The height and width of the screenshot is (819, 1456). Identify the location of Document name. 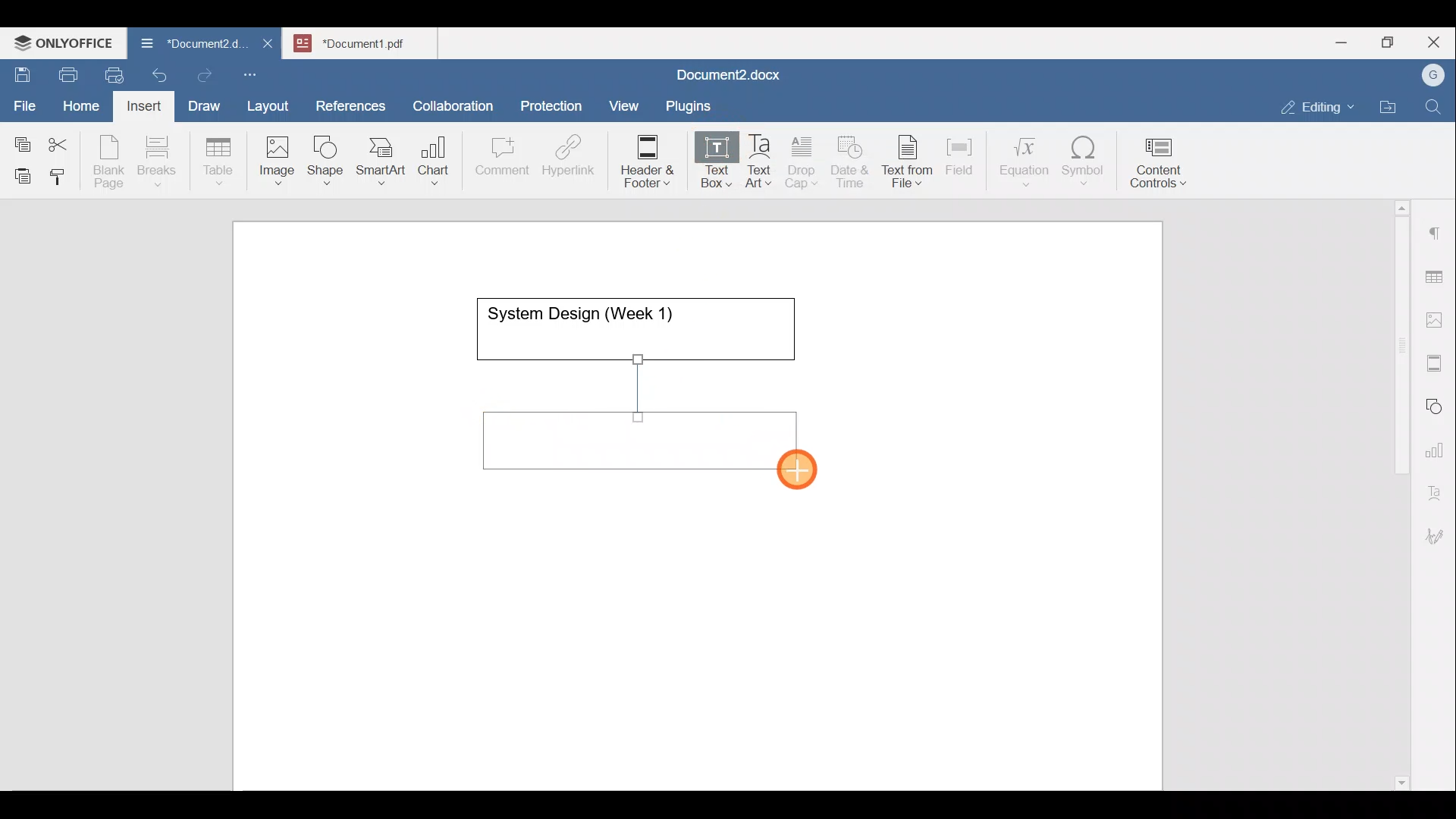
(185, 45).